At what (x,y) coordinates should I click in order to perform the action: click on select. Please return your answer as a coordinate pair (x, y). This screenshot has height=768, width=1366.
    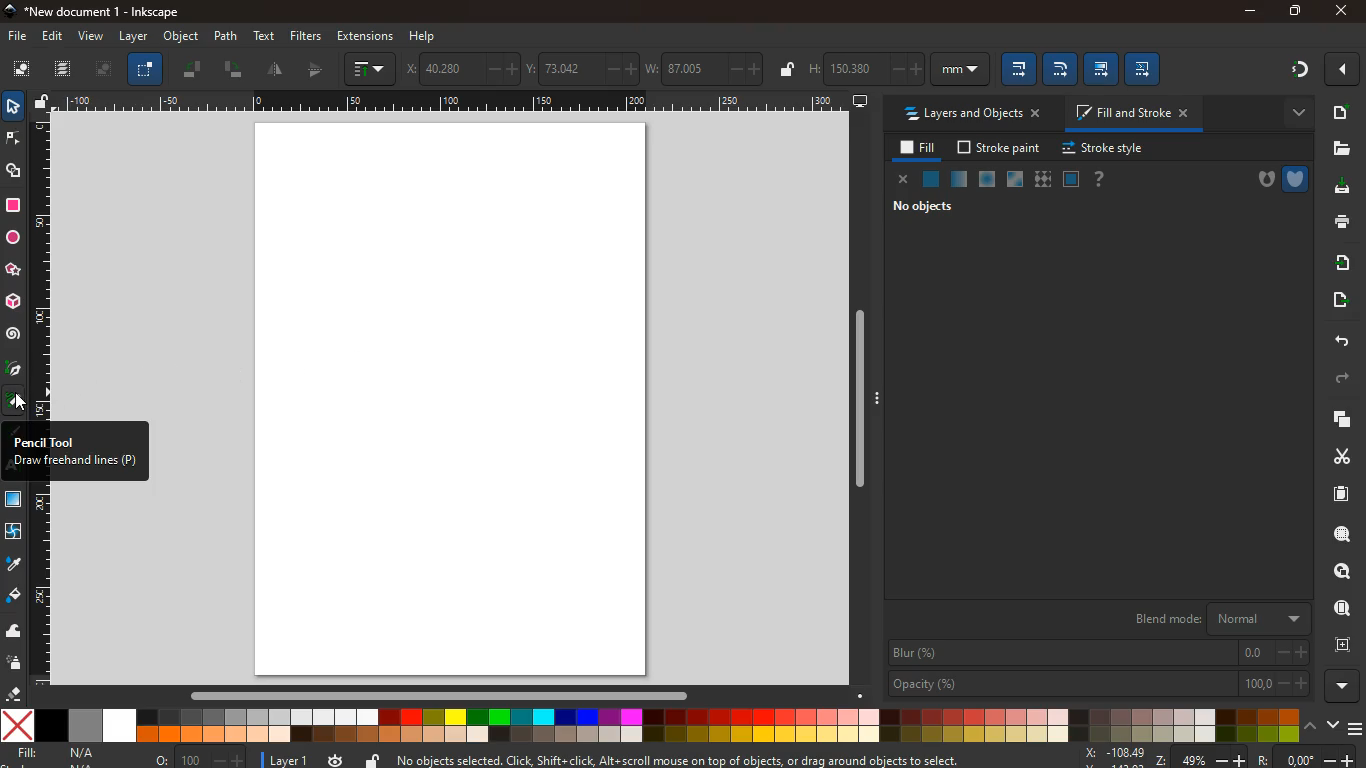
    Looking at the image, I should click on (144, 69).